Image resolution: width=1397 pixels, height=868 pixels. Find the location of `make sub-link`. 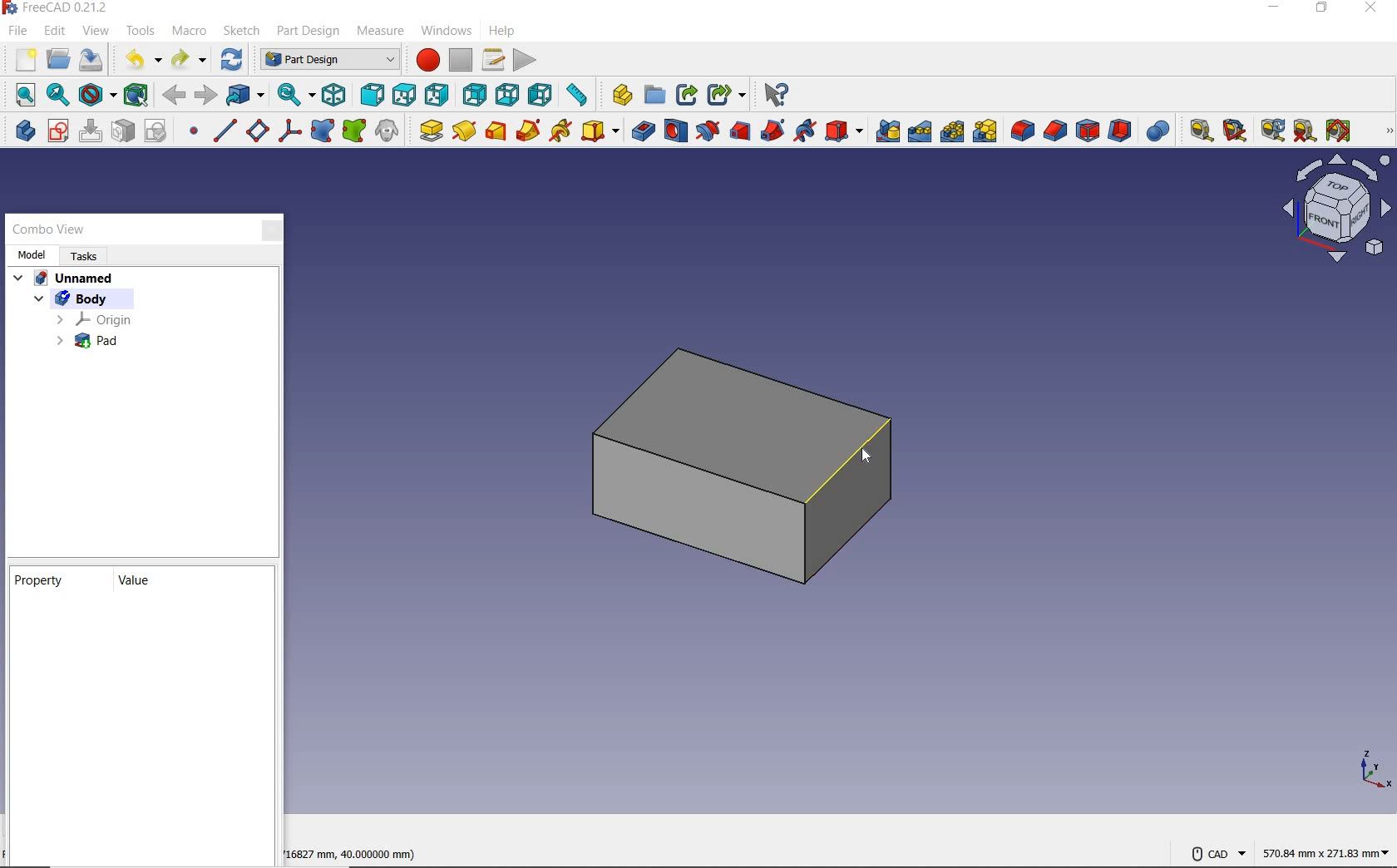

make sub-link is located at coordinates (726, 94).